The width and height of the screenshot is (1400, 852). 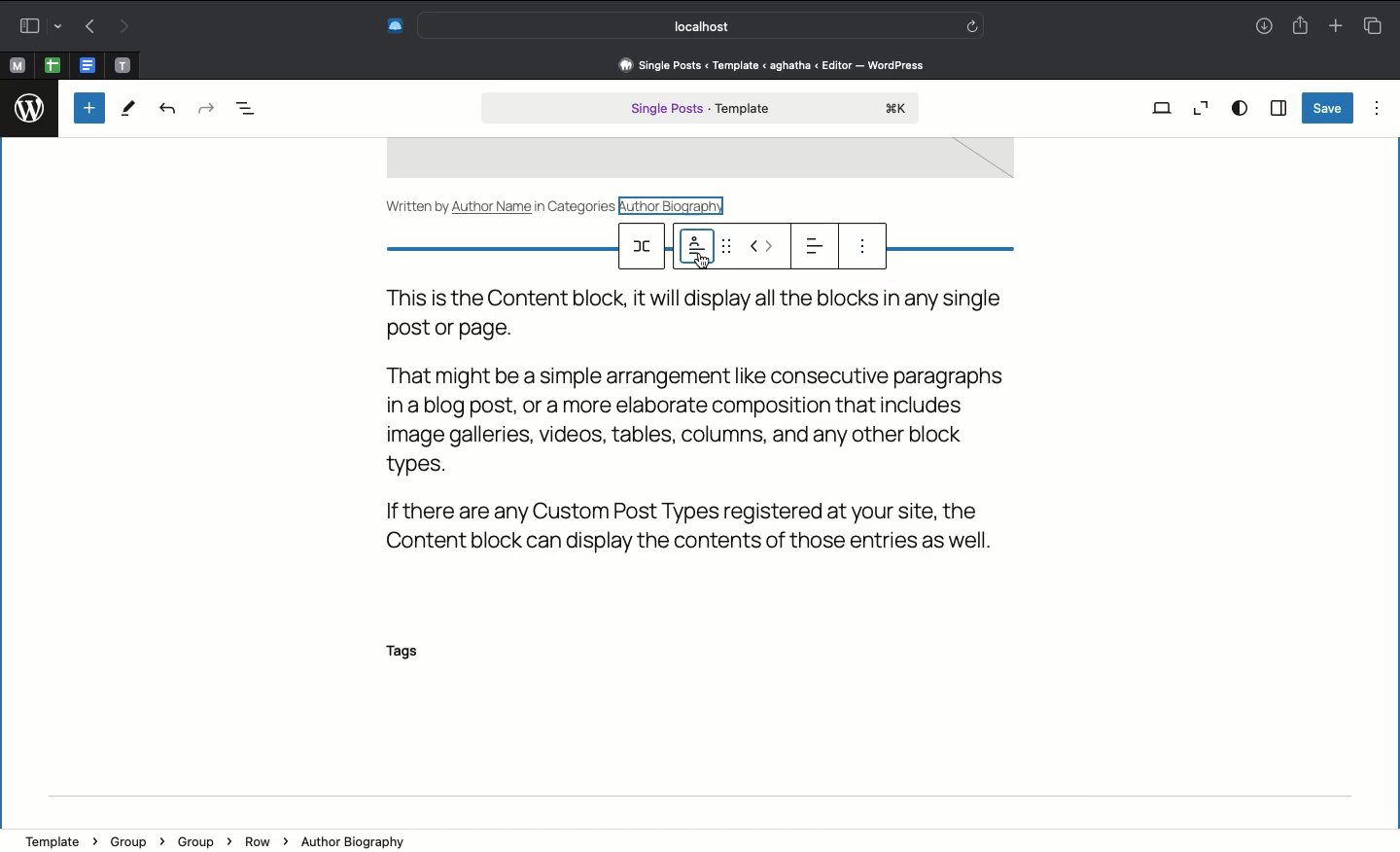 What do you see at coordinates (1277, 109) in the screenshot?
I see `Sidebar` at bounding box center [1277, 109].